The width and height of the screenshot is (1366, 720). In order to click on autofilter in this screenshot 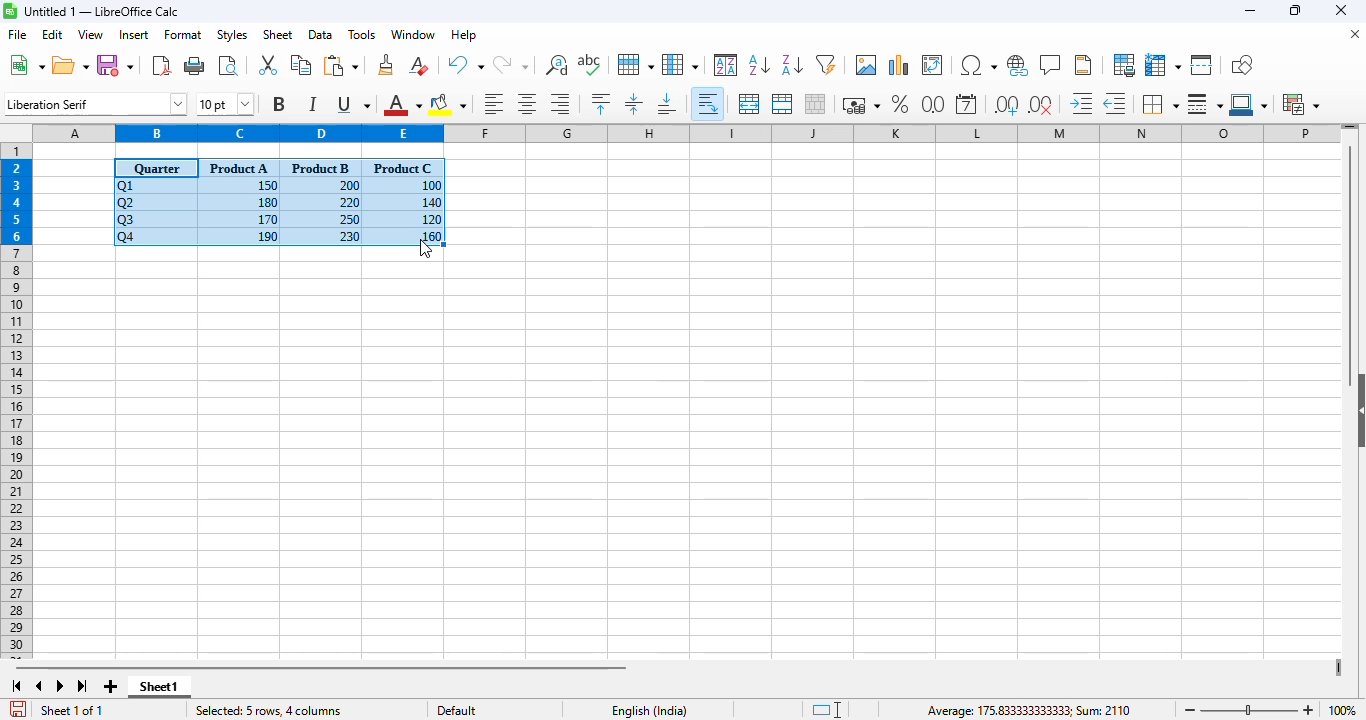, I will do `click(826, 64)`.